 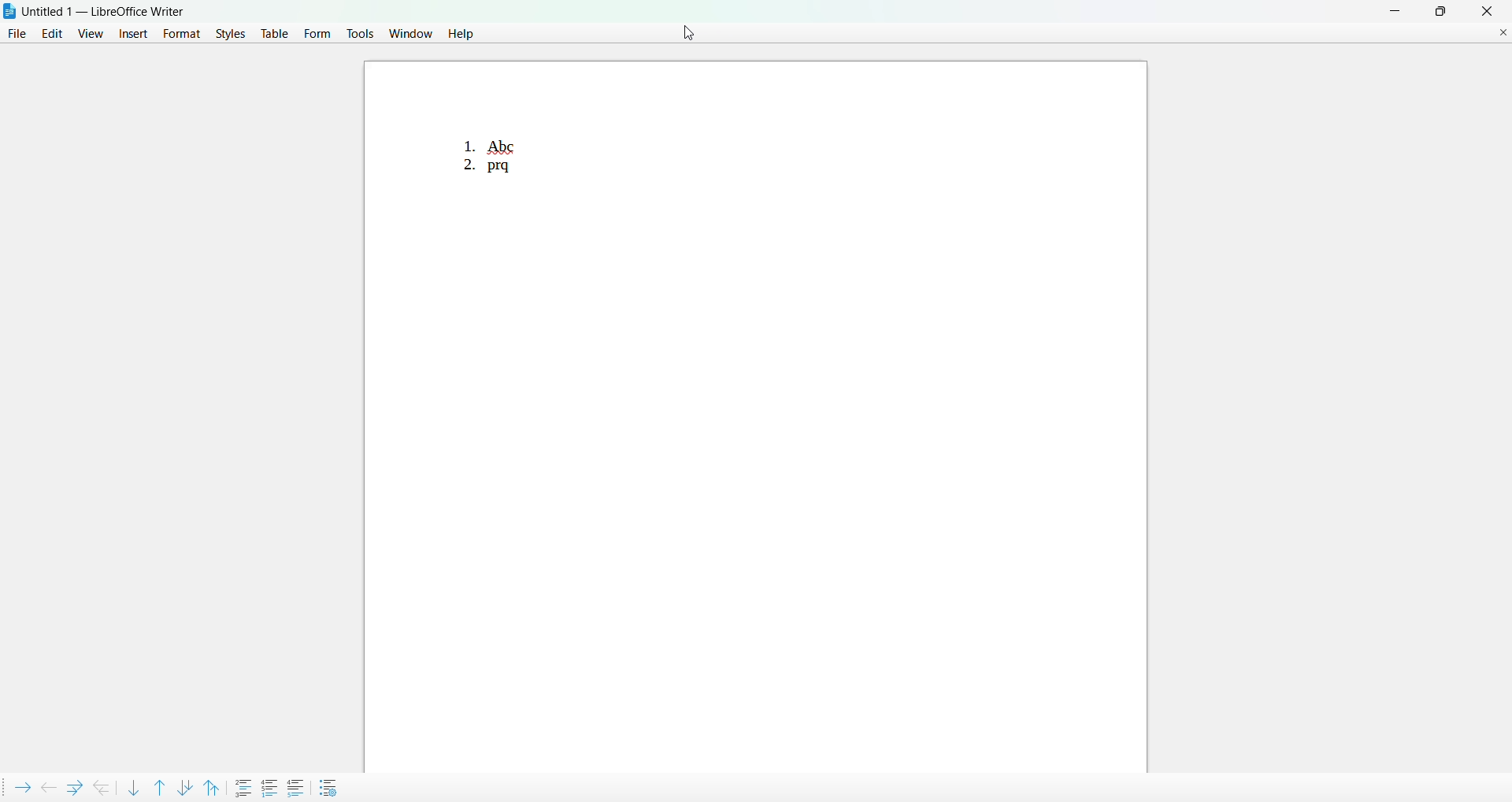 What do you see at coordinates (91, 32) in the screenshot?
I see `view` at bounding box center [91, 32].